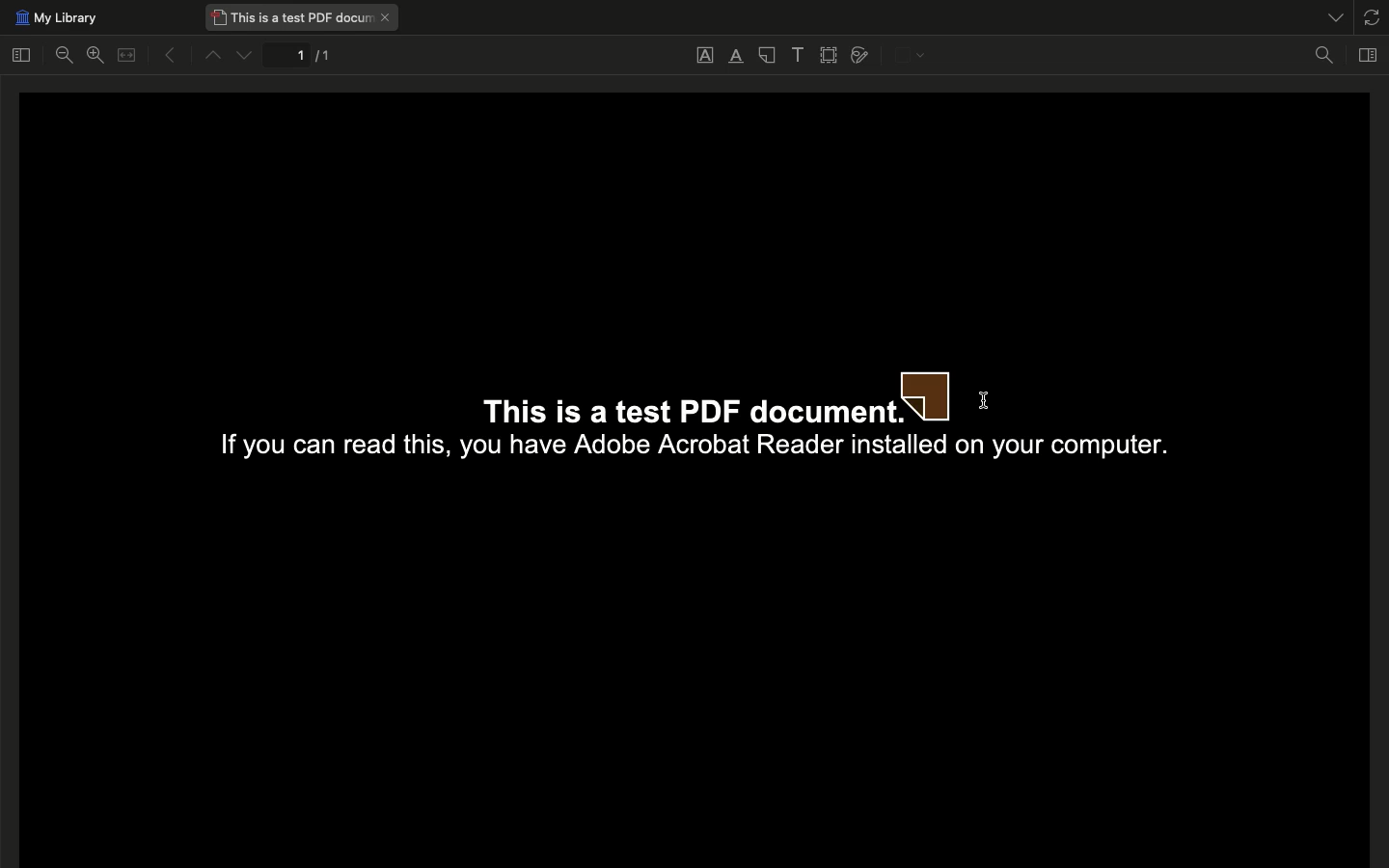 The image size is (1389, 868). I want to click on 1/1, so click(303, 58).